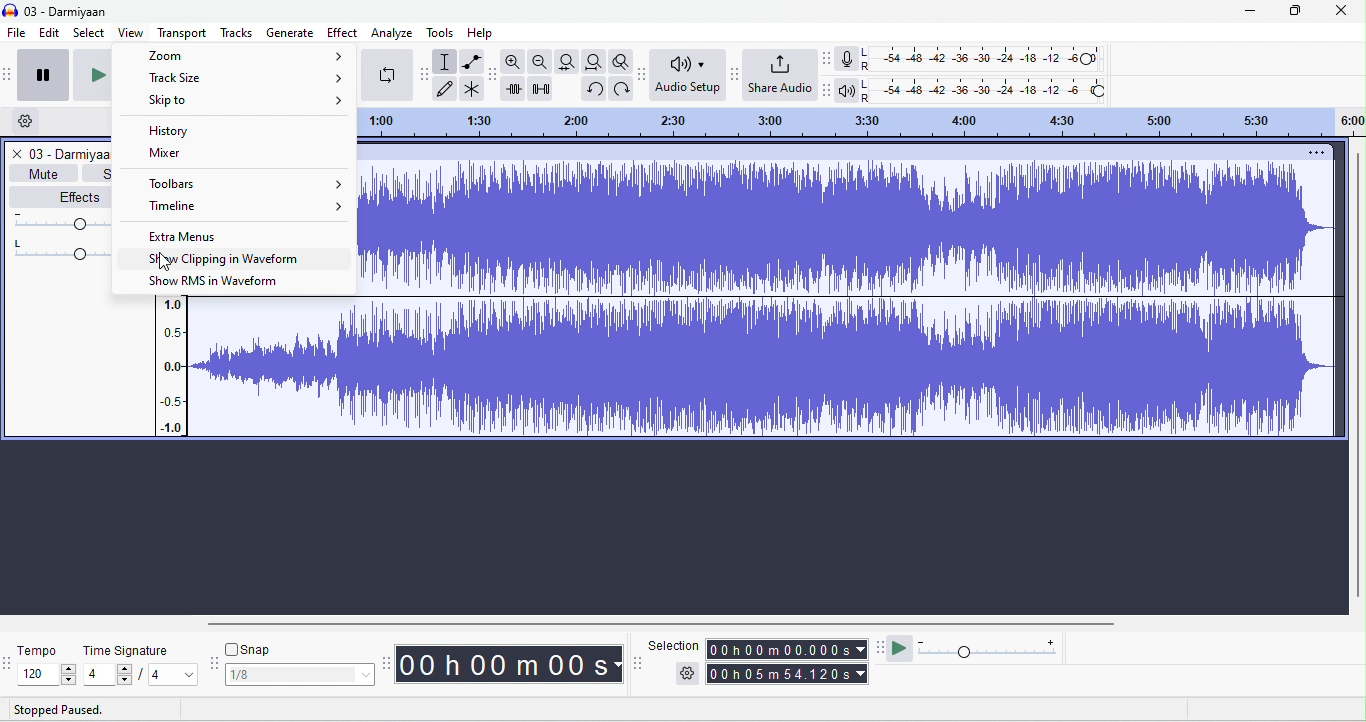  What do you see at coordinates (620, 90) in the screenshot?
I see `undo` at bounding box center [620, 90].